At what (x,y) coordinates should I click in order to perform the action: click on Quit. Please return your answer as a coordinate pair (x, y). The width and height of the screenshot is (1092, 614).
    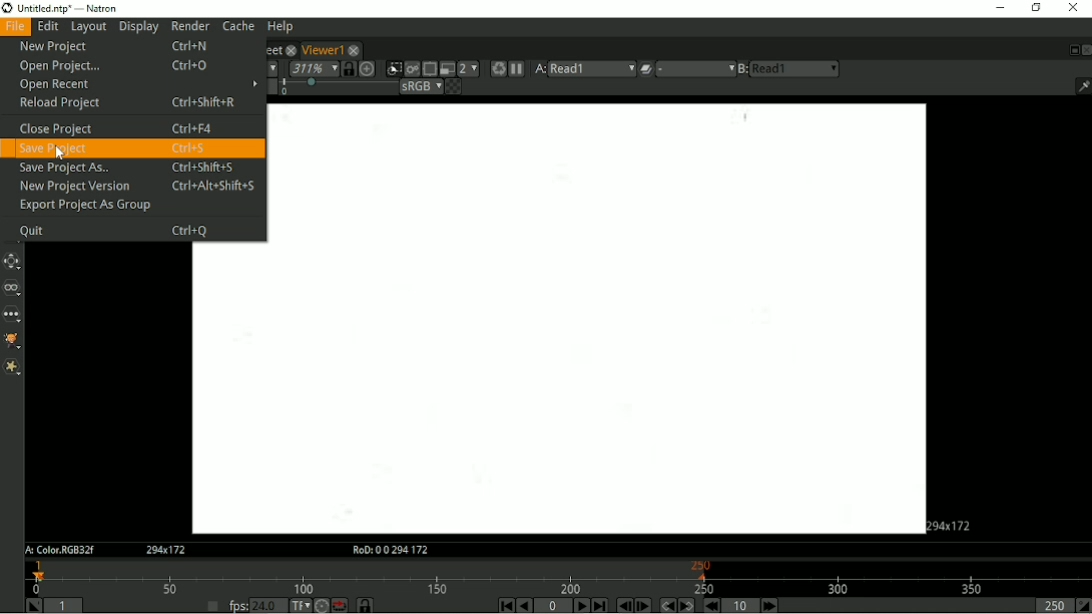
    Looking at the image, I should click on (115, 231).